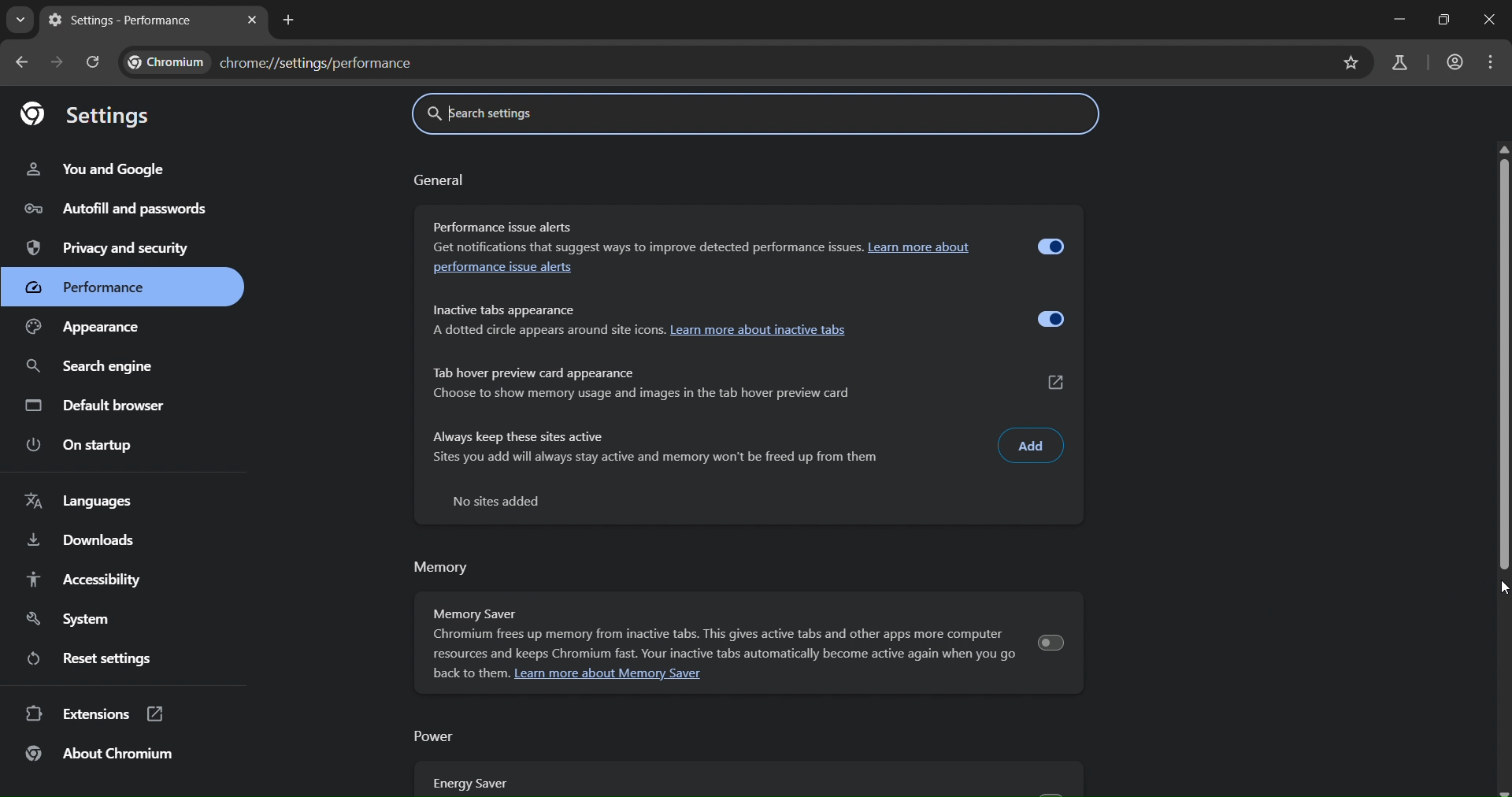  Describe the element at coordinates (94, 712) in the screenshot. I see `extensions` at that location.